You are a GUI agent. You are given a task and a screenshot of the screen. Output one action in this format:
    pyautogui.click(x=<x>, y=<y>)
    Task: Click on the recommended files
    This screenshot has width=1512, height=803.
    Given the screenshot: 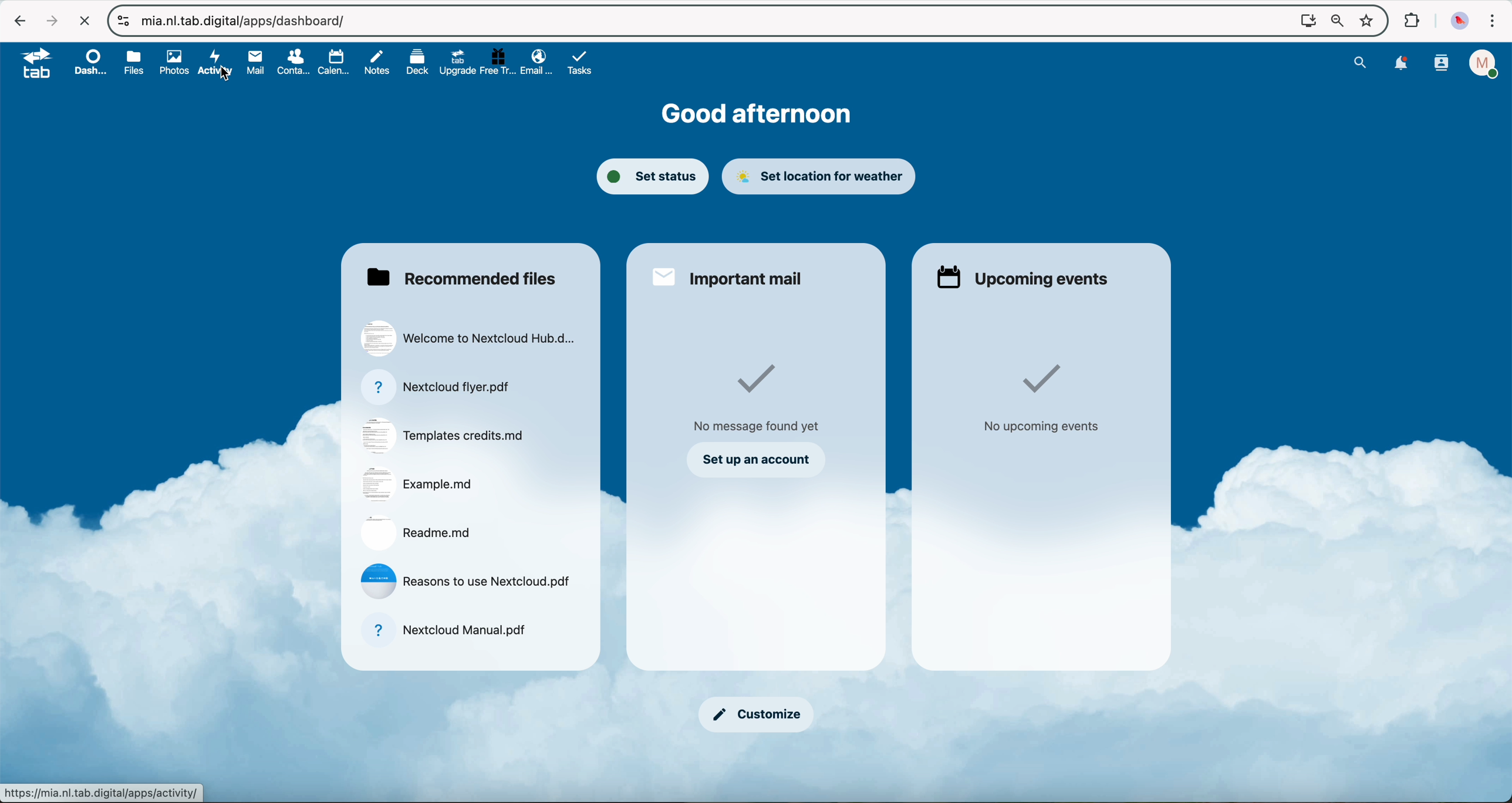 What is the action you would take?
    pyautogui.click(x=463, y=276)
    